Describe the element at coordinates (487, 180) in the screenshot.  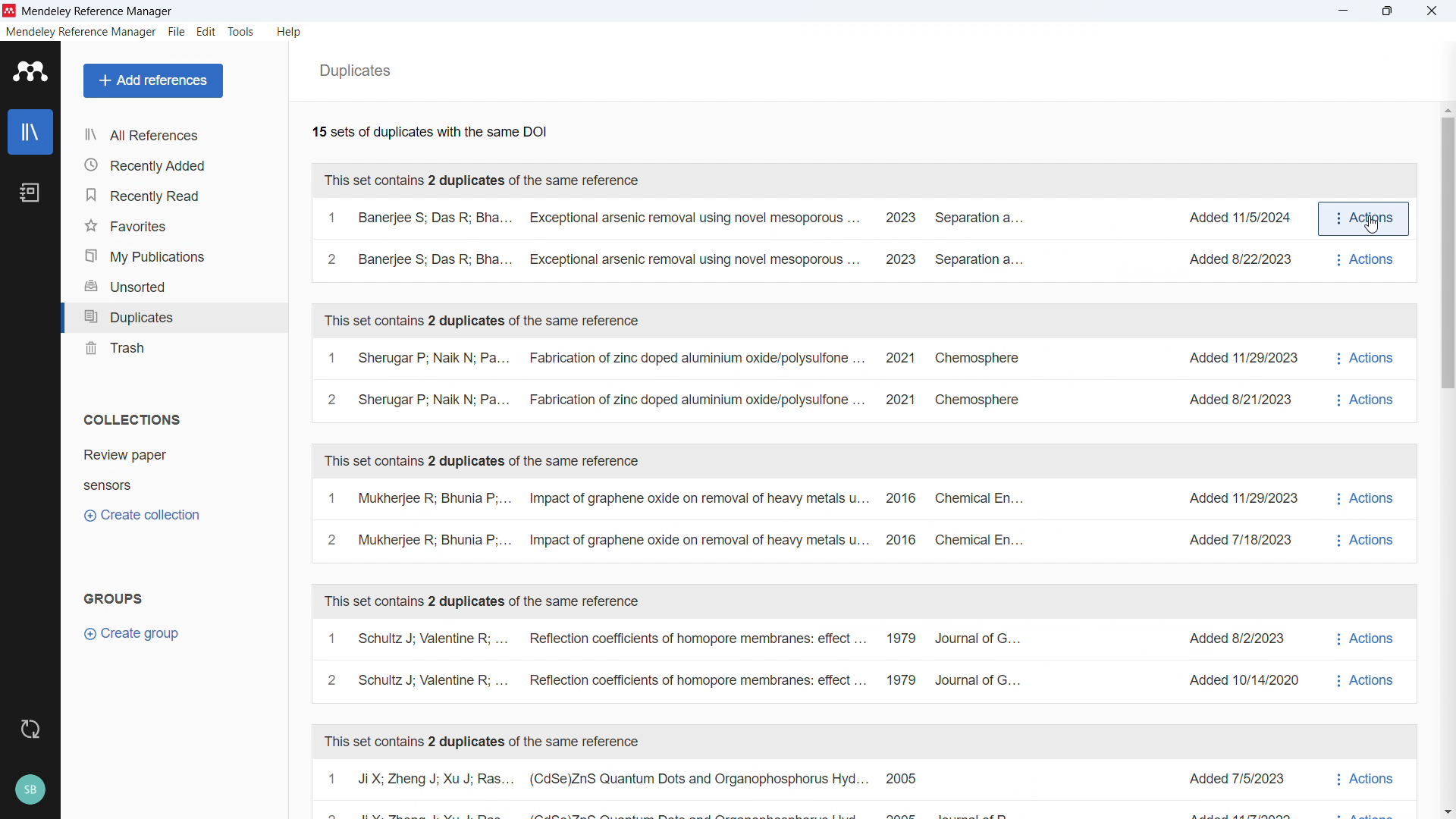
I see `This set contains two duplicates of the same reference` at that location.